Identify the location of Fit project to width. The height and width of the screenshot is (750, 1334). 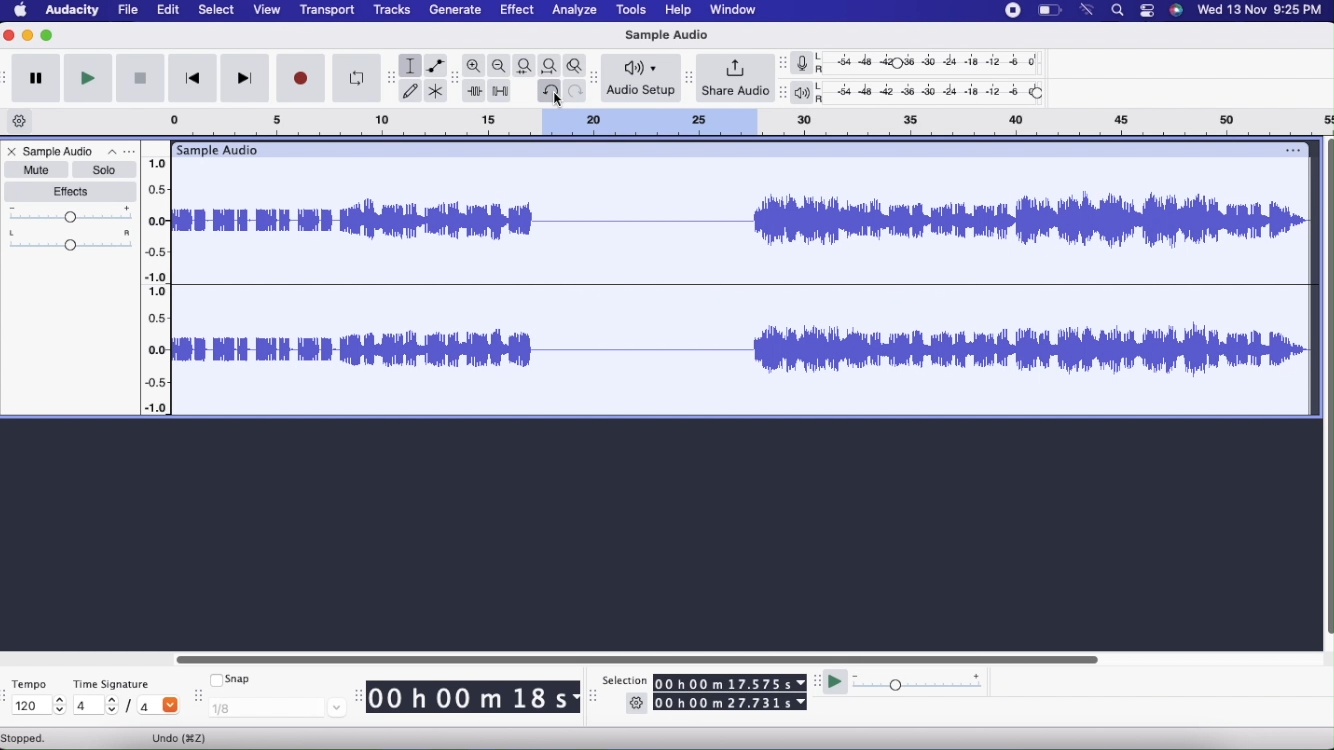
(550, 66).